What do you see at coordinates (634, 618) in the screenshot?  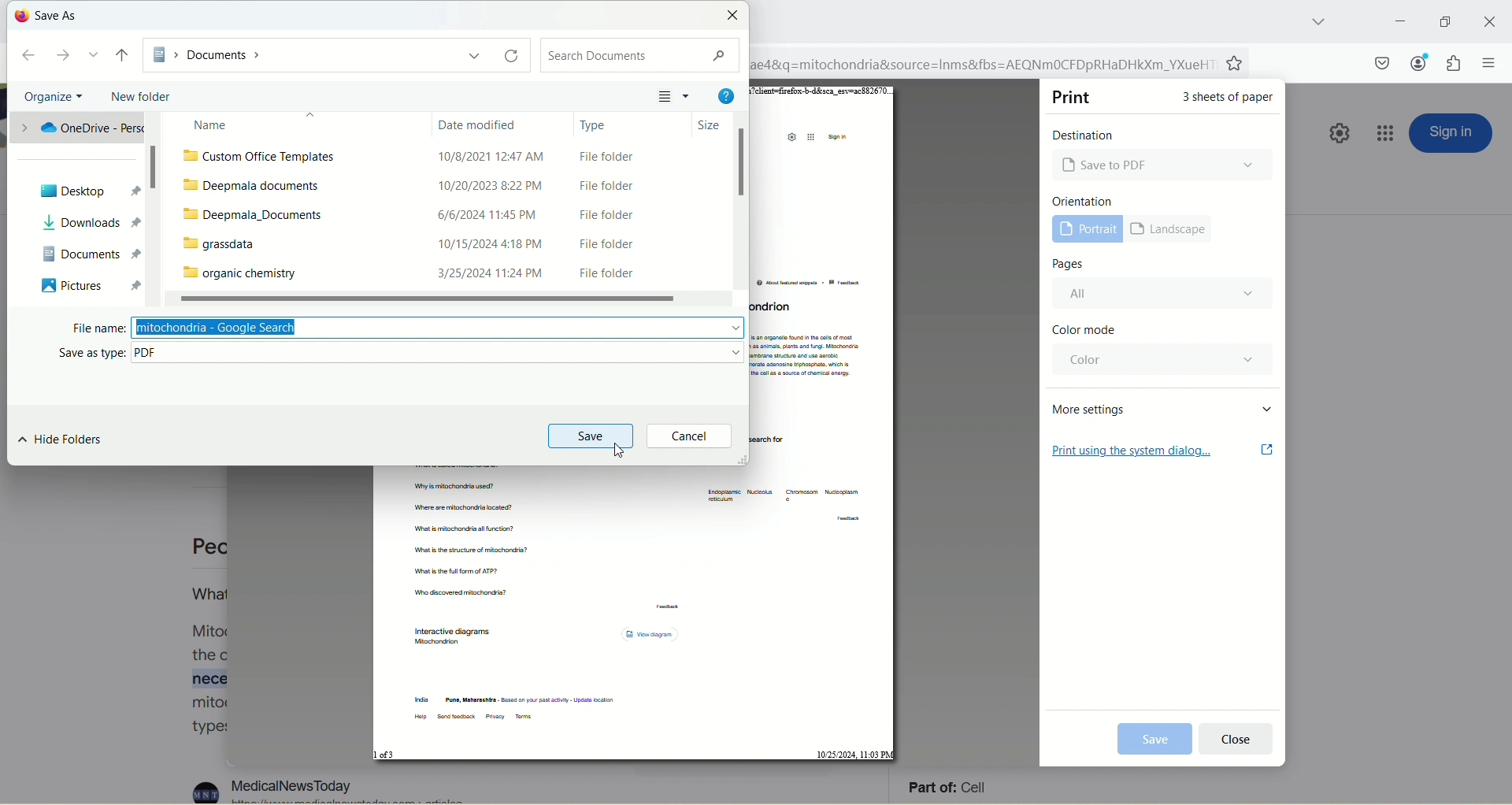 I see `PDF page` at bounding box center [634, 618].